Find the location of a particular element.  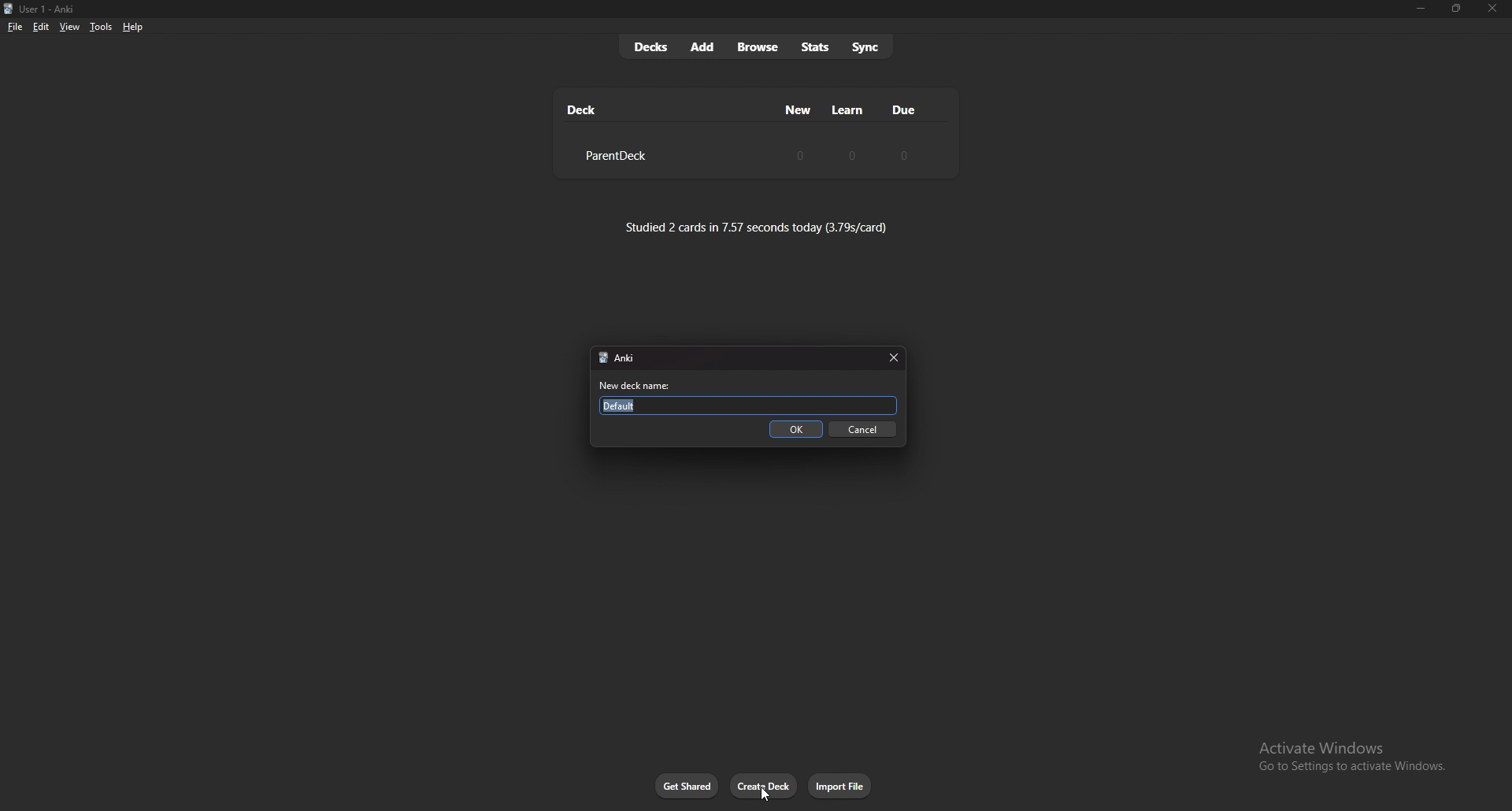

close is located at coordinates (892, 358).